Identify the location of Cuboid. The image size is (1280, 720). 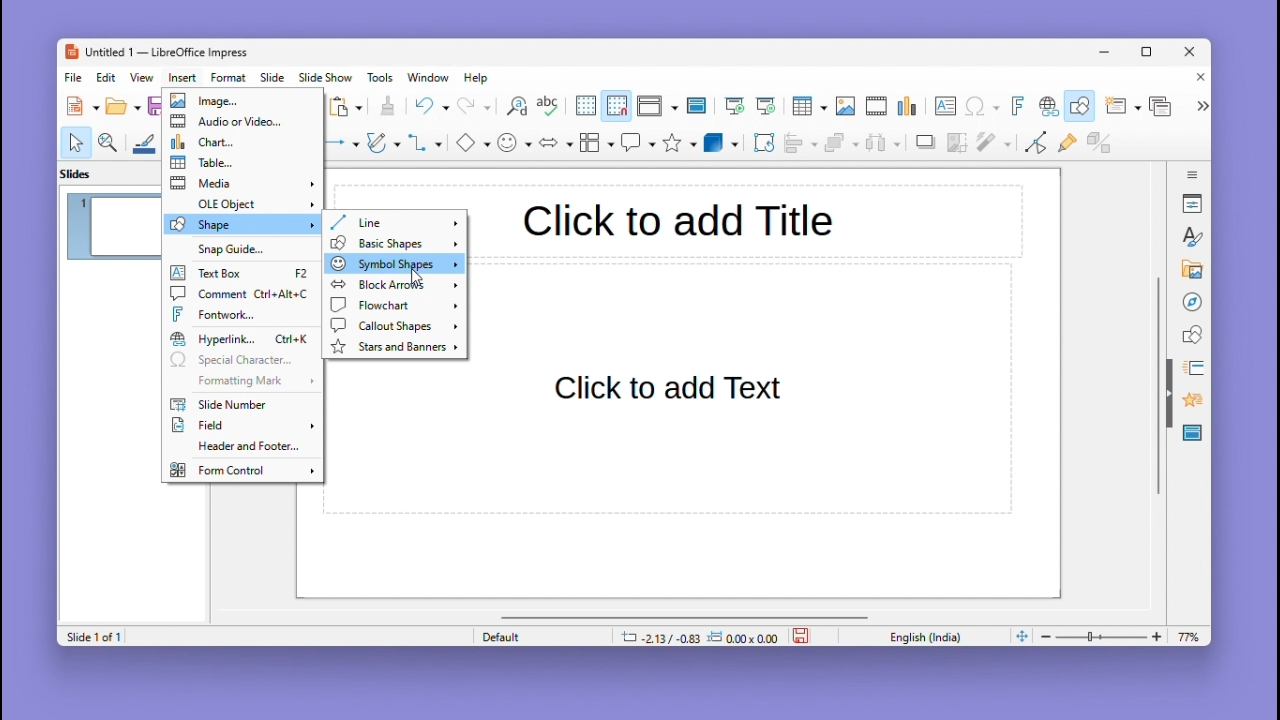
(721, 144).